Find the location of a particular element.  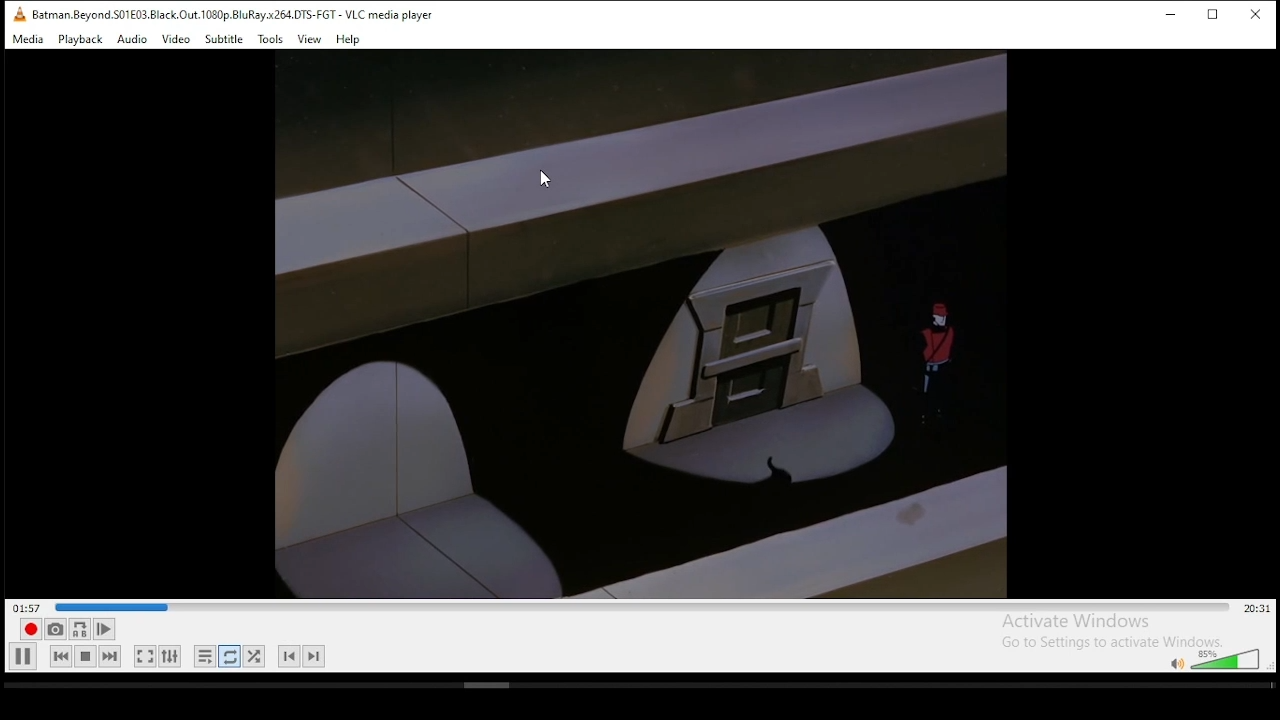

show extended settings is located at coordinates (170, 656).